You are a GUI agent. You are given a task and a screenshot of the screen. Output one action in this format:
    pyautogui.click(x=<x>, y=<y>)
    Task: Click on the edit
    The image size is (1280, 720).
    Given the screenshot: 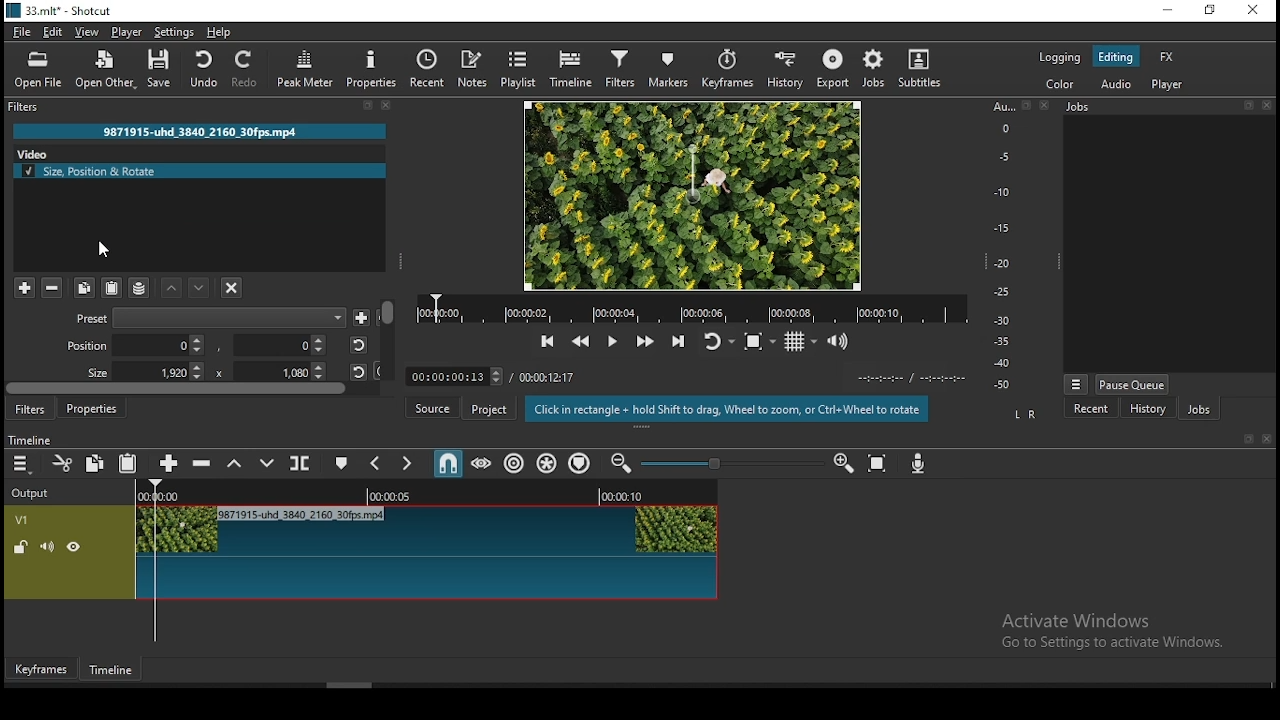 What is the action you would take?
    pyautogui.click(x=55, y=34)
    